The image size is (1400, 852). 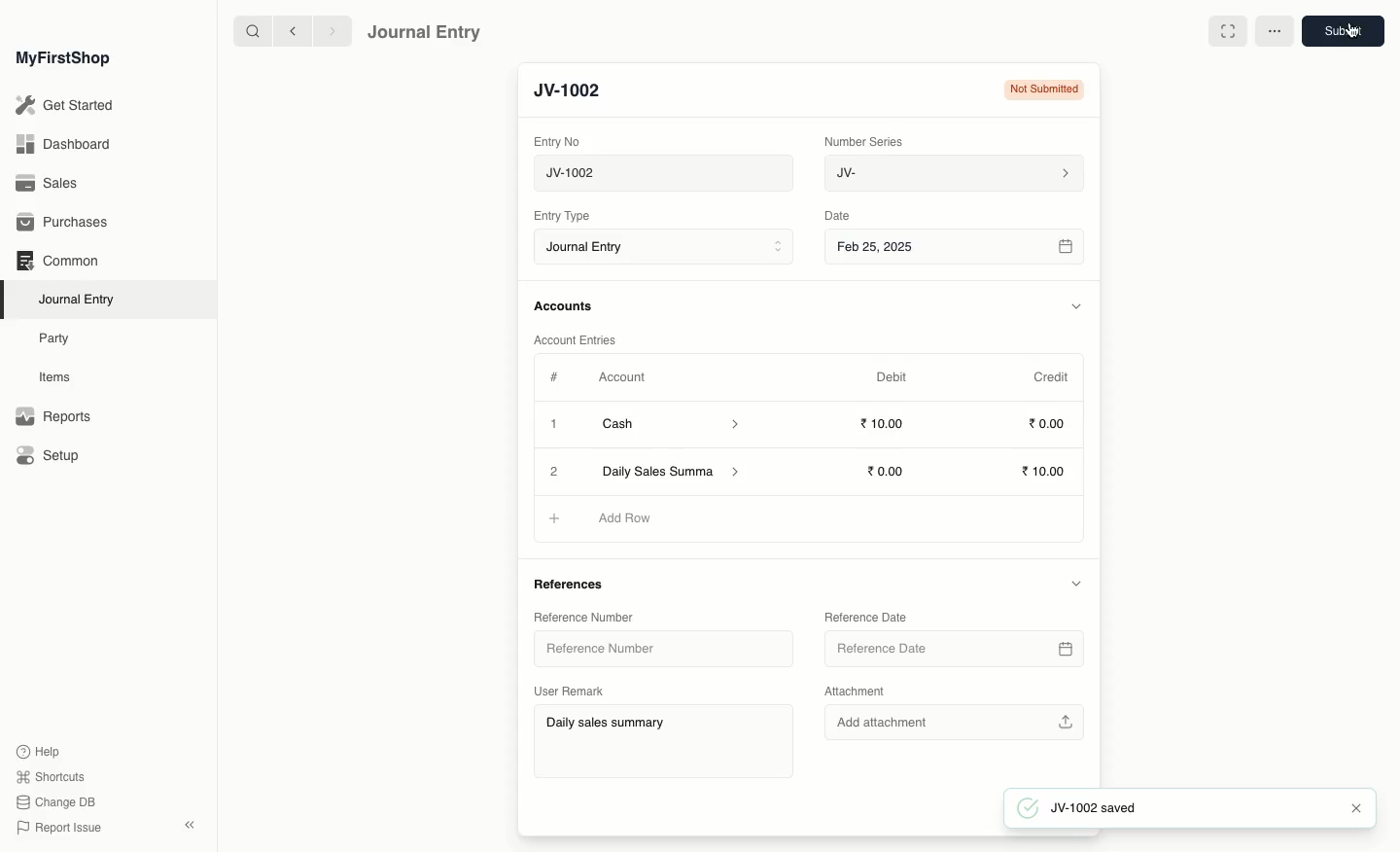 I want to click on Items, so click(x=60, y=377).